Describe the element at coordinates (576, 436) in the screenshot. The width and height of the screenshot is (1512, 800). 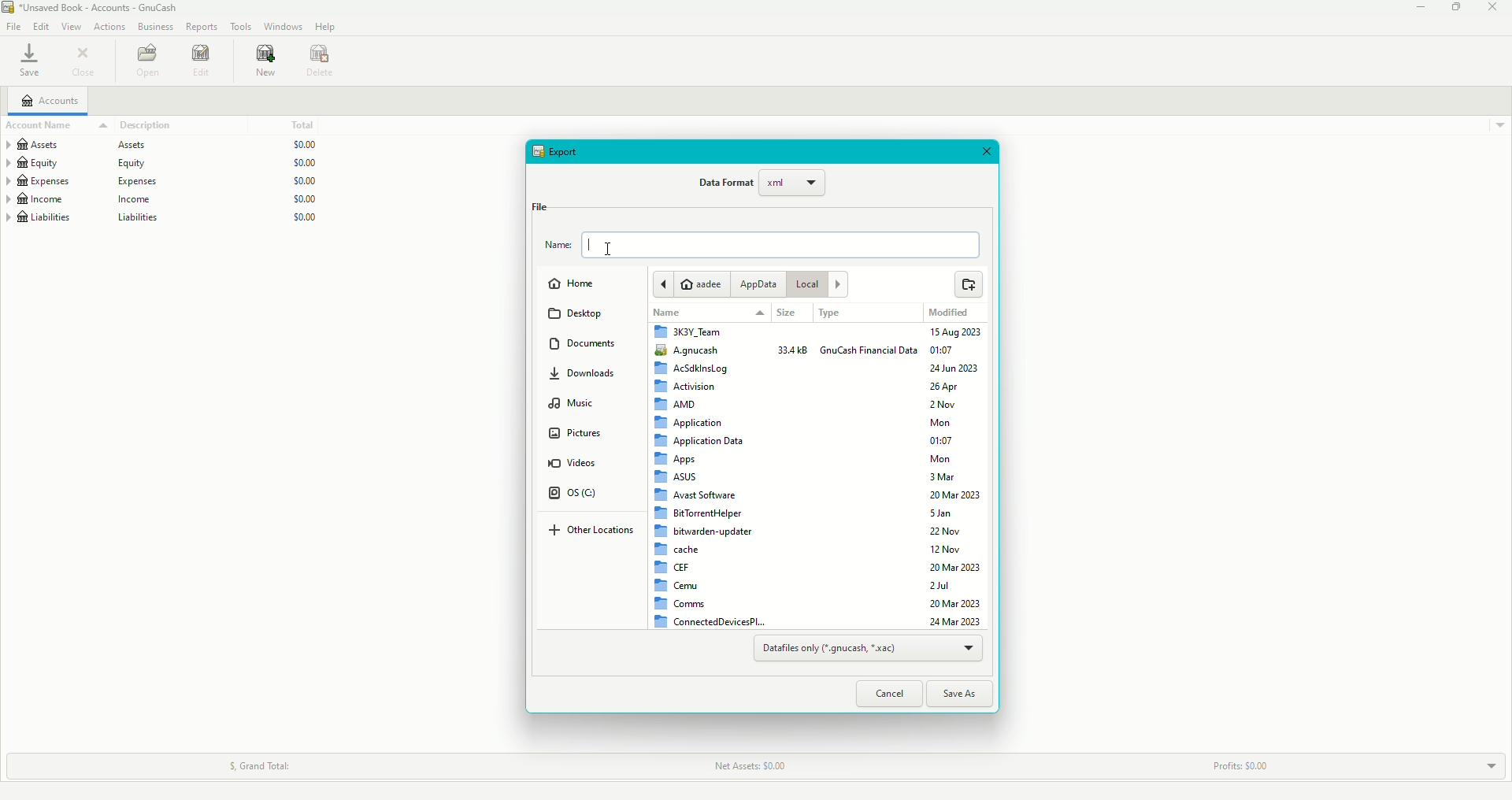
I see `Pictures` at that location.